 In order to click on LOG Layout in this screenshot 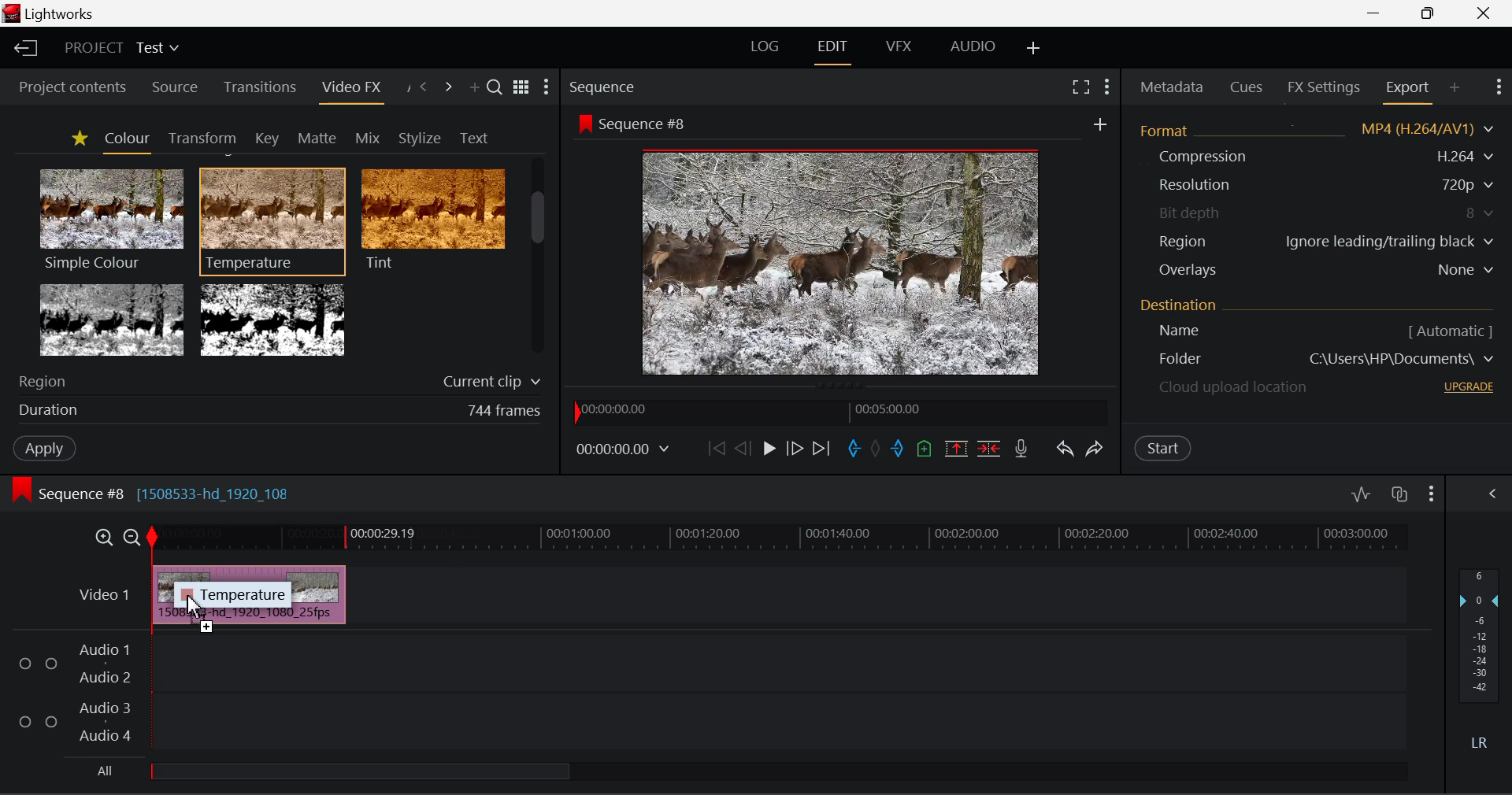, I will do `click(767, 46)`.